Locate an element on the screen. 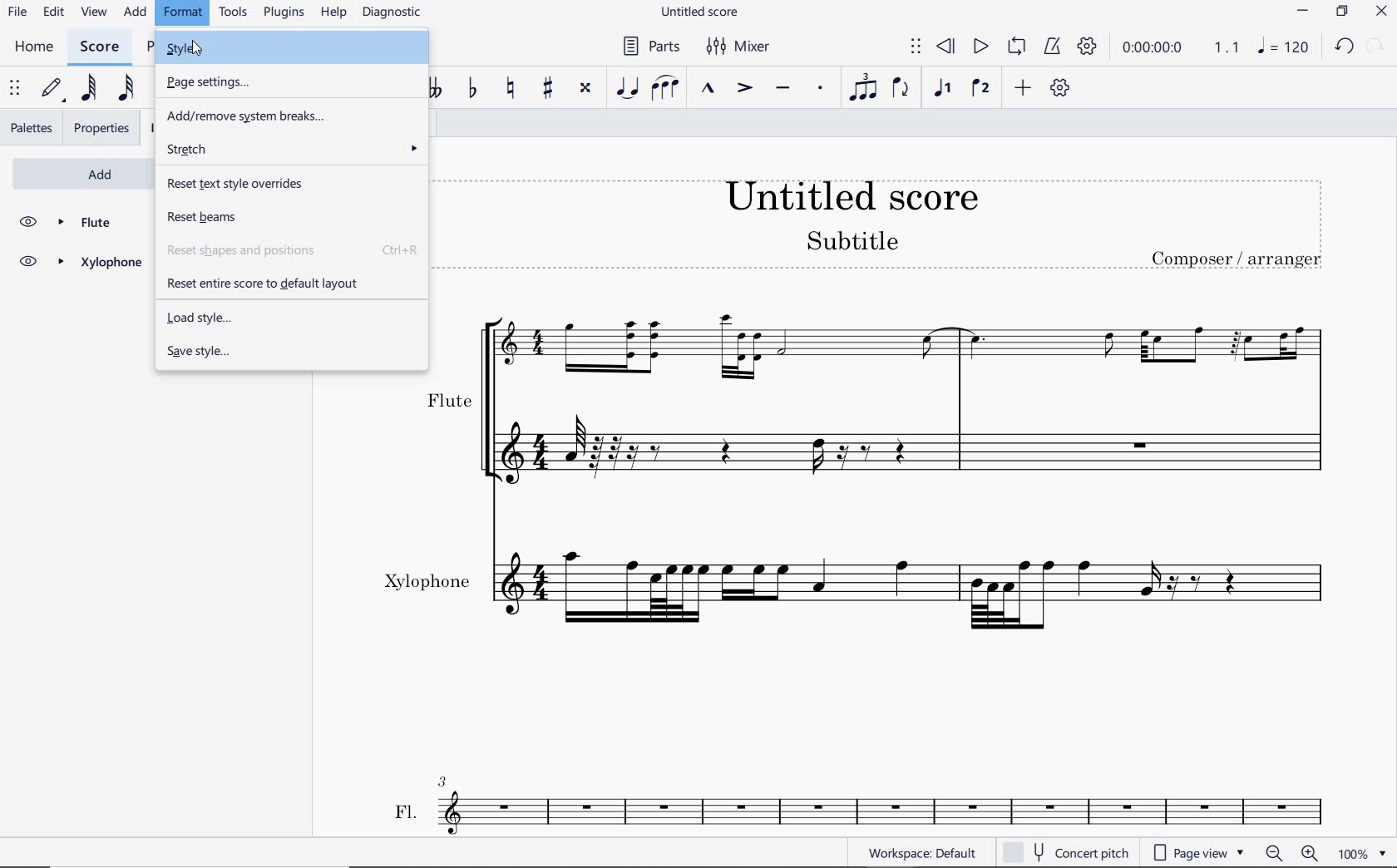  reset shapes and positions is located at coordinates (296, 250).